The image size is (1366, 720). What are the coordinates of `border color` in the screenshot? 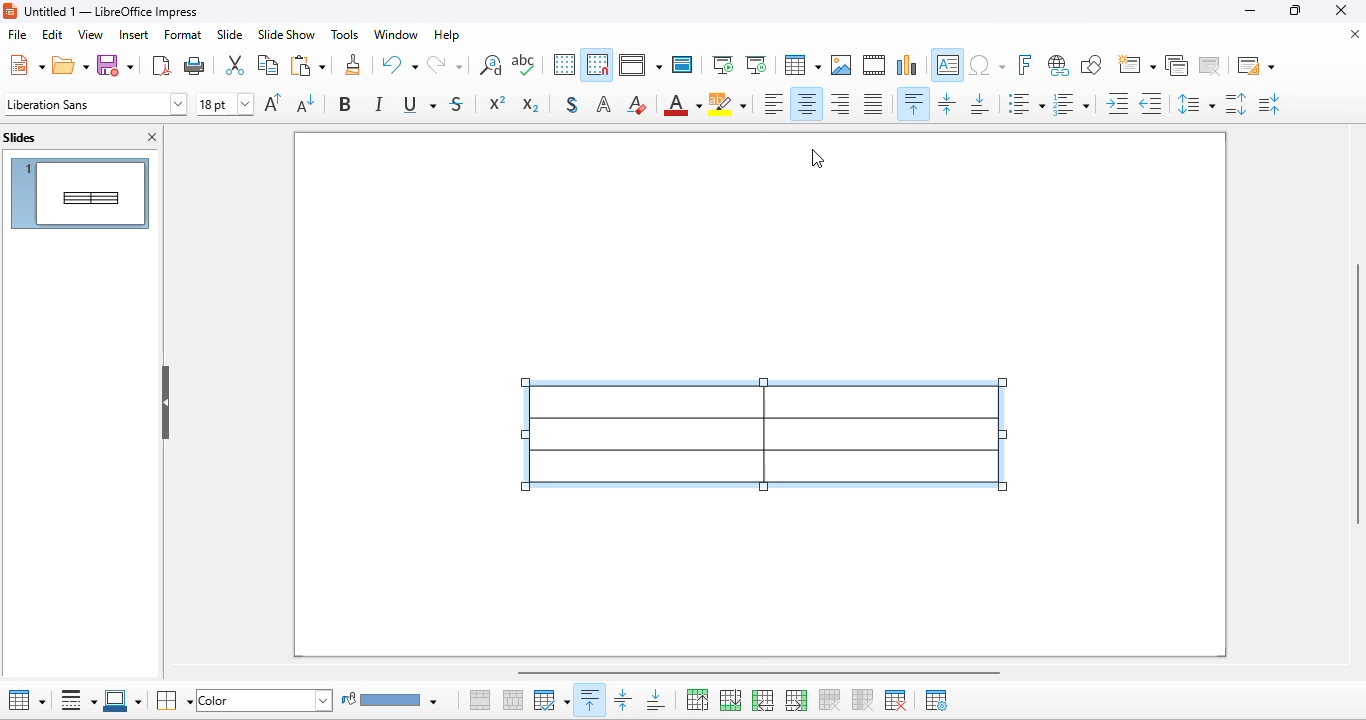 It's located at (122, 701).